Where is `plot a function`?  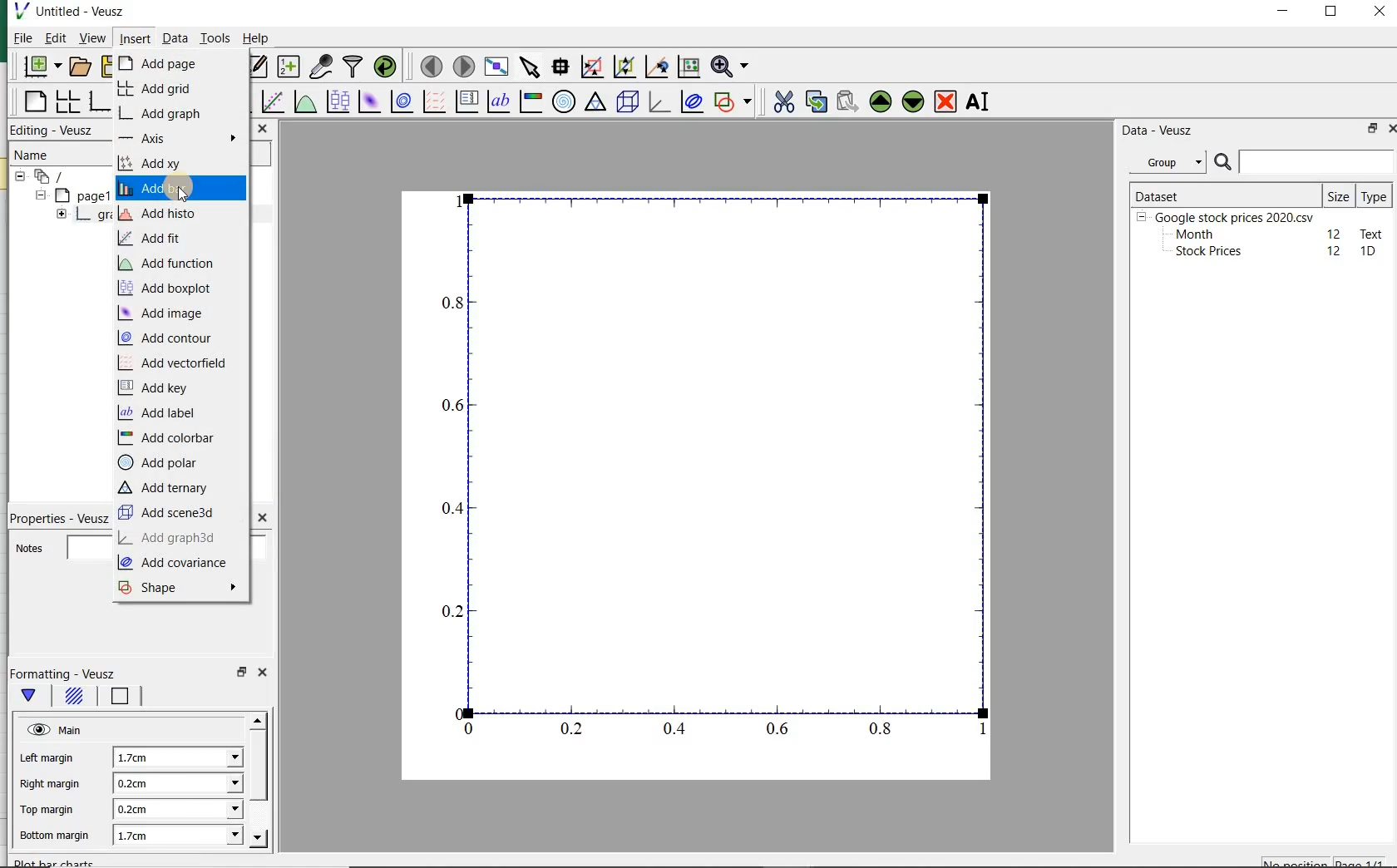 plot a function is located at coordinates (304, 103).